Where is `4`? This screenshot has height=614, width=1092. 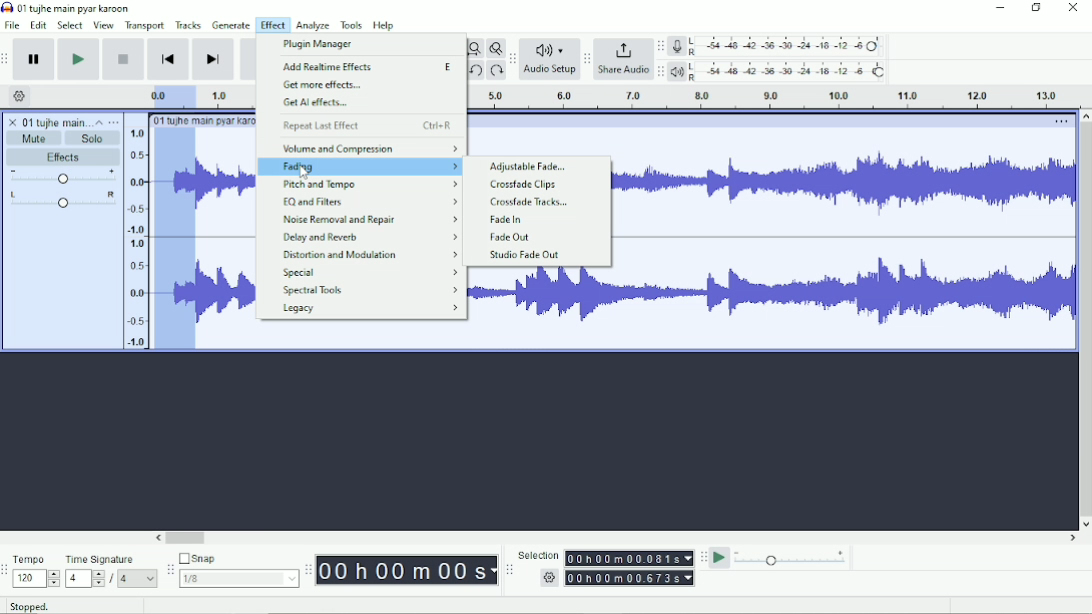 4 is located at coordinates (137, 578).